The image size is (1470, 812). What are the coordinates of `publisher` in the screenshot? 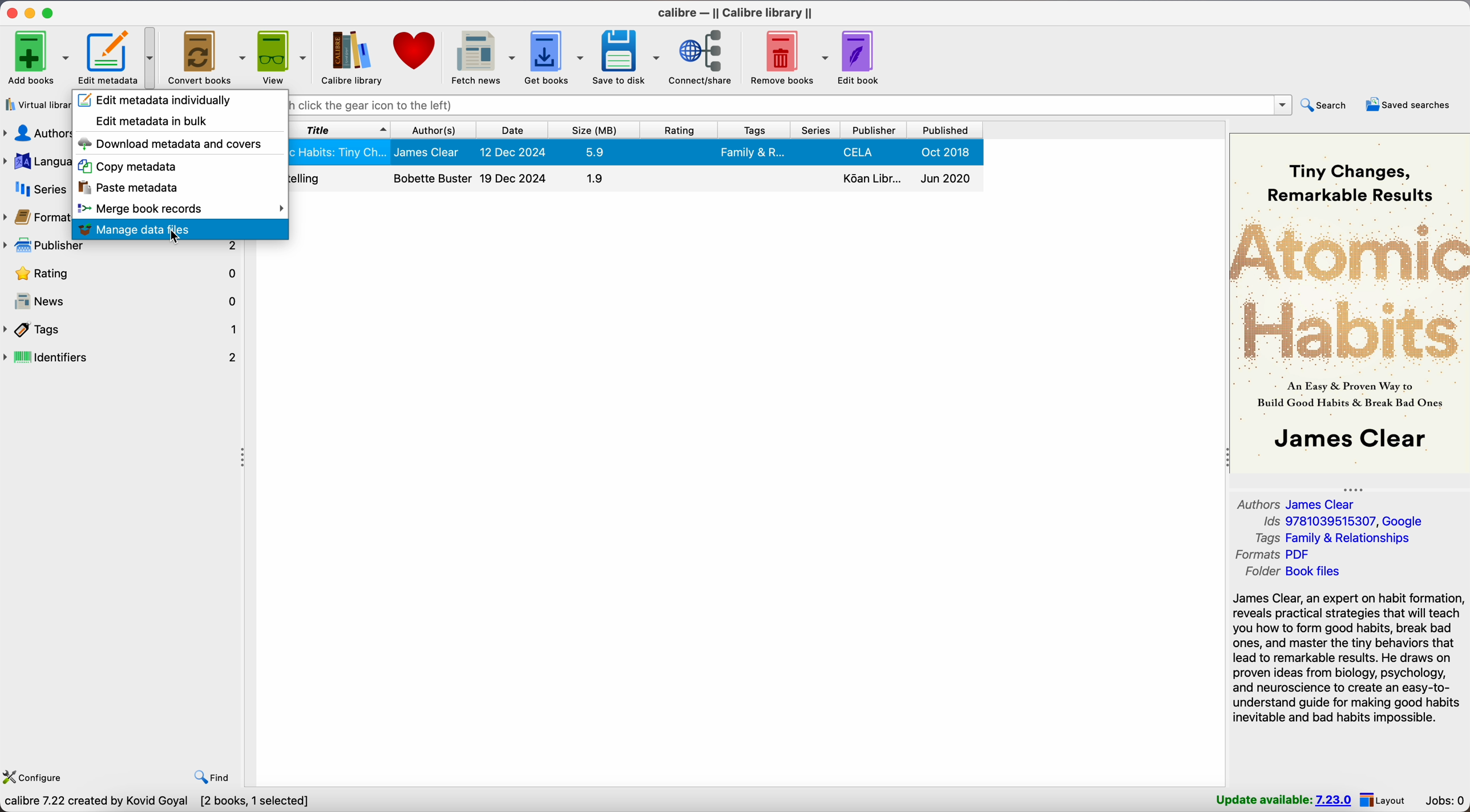 It's located at (122, 249).